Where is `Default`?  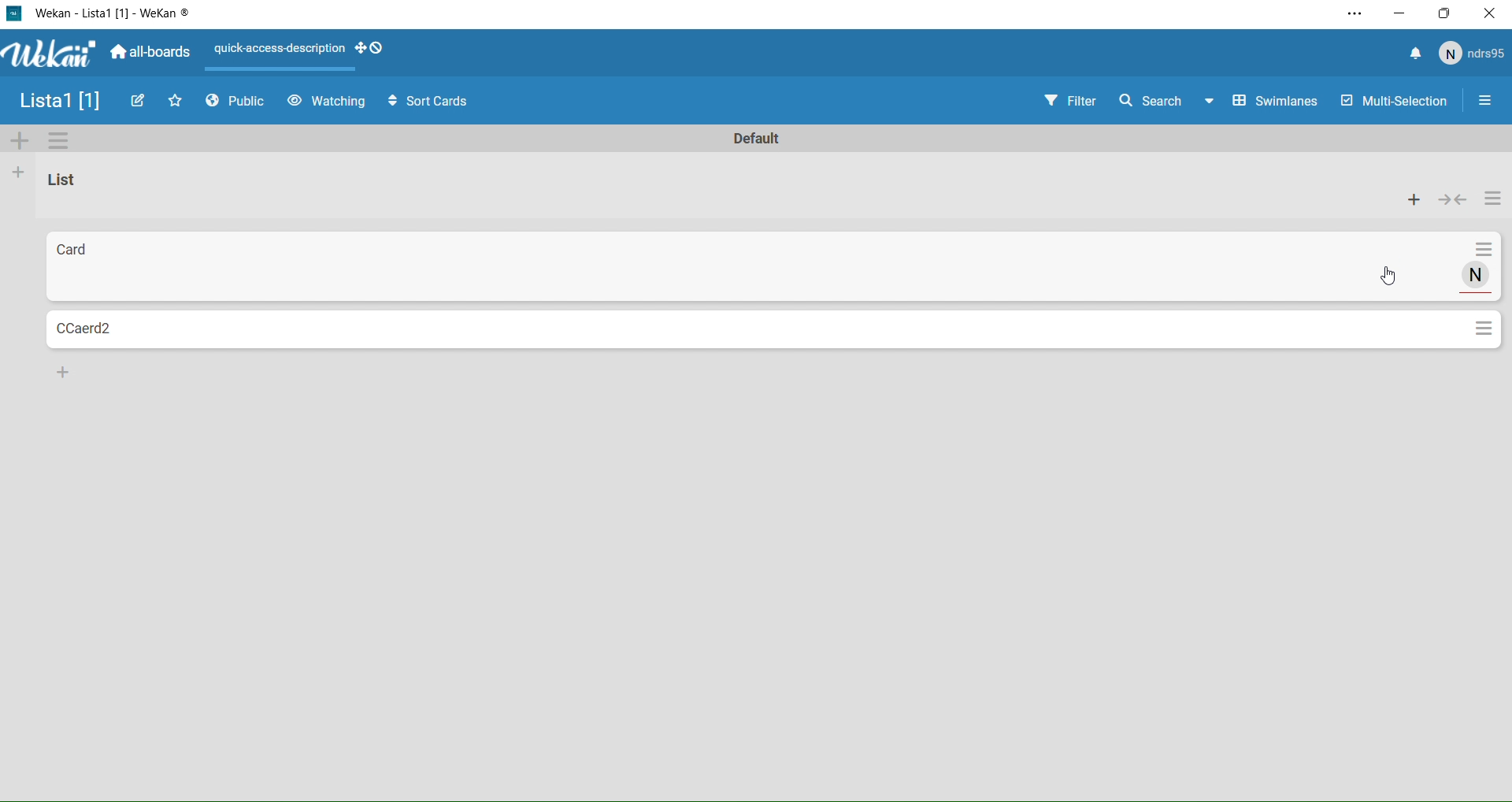 Default is located at coordinates (764, 141).